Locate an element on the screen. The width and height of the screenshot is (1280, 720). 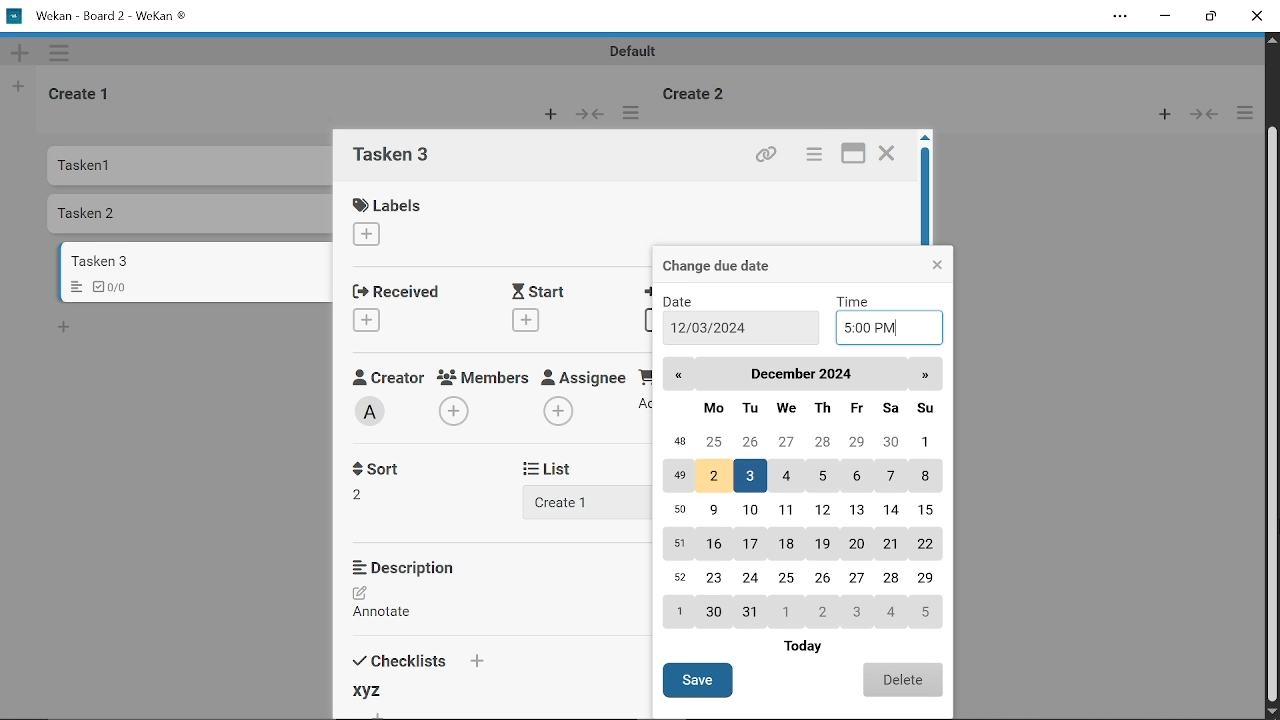
Restore down is located at coordinates (1209, 19).